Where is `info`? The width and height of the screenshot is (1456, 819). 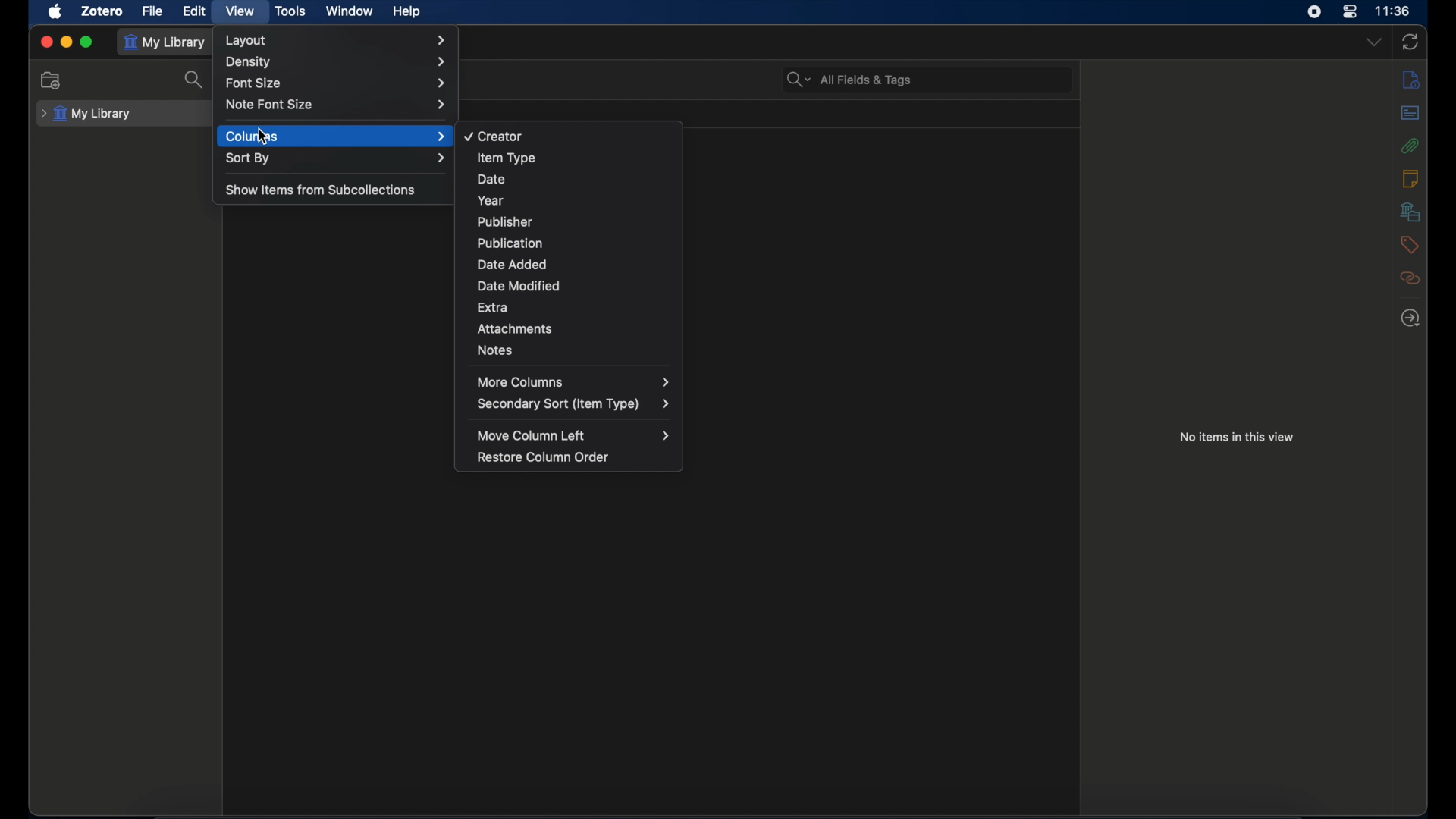 info is located at coordinates (1412, 80).